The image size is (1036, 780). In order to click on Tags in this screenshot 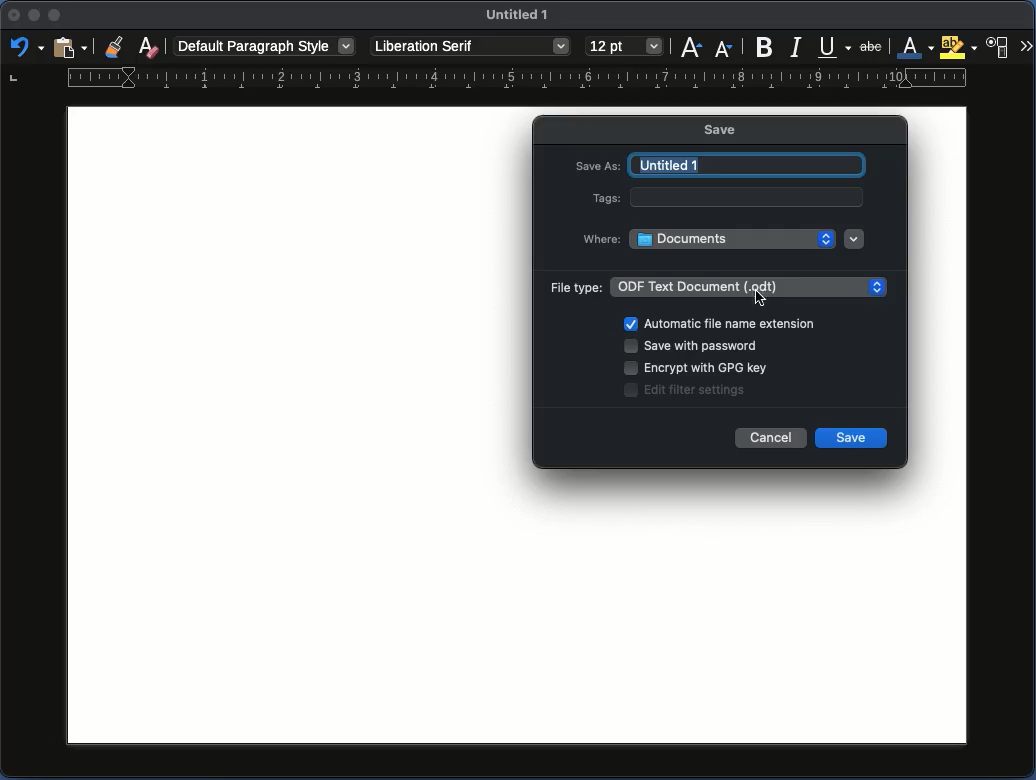, I will do `click(728, 196)`.